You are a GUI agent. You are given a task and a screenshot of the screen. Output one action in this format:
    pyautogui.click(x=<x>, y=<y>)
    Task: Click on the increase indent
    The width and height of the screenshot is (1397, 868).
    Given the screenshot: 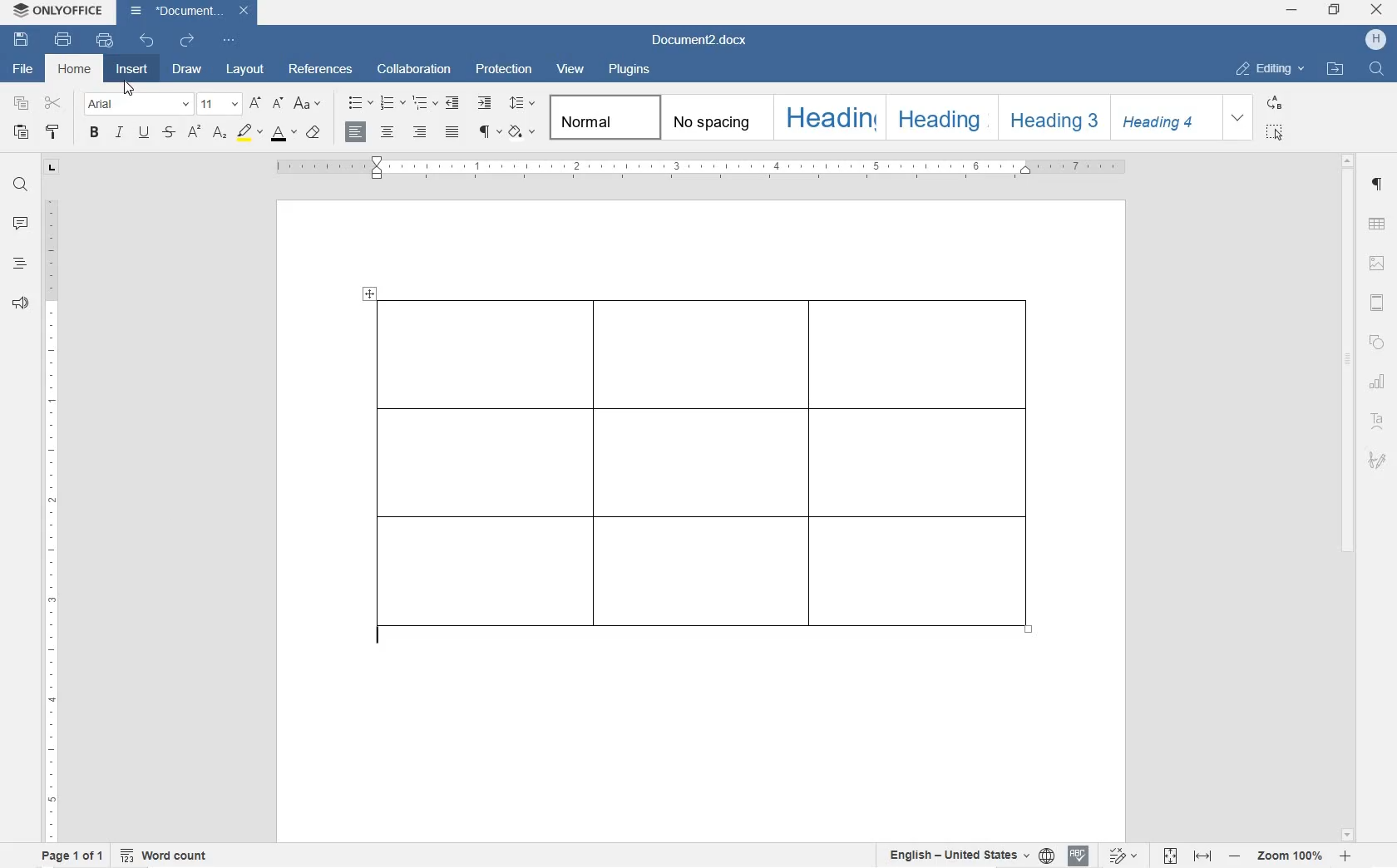 What is the action you would take?
    pyautogui.click(x=485, y=104)
    